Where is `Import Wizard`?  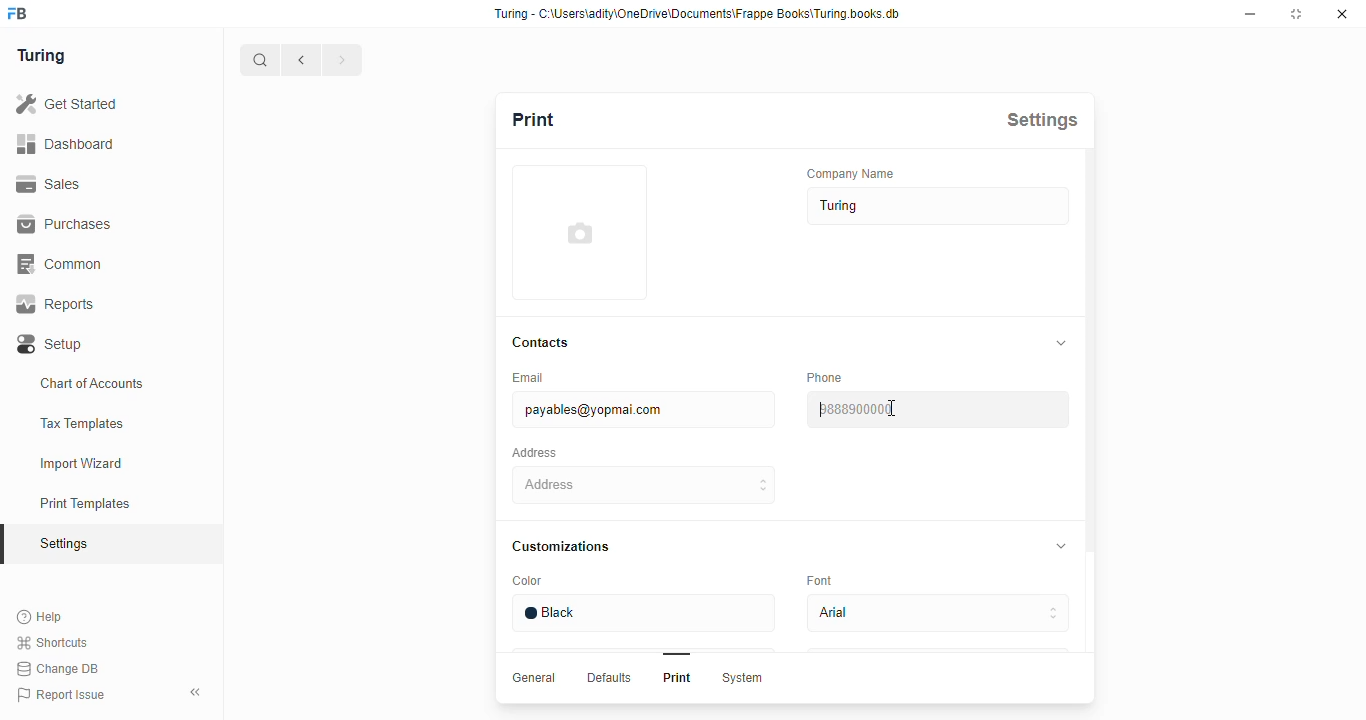
Import Wizard is located at coordinates (92, 463).